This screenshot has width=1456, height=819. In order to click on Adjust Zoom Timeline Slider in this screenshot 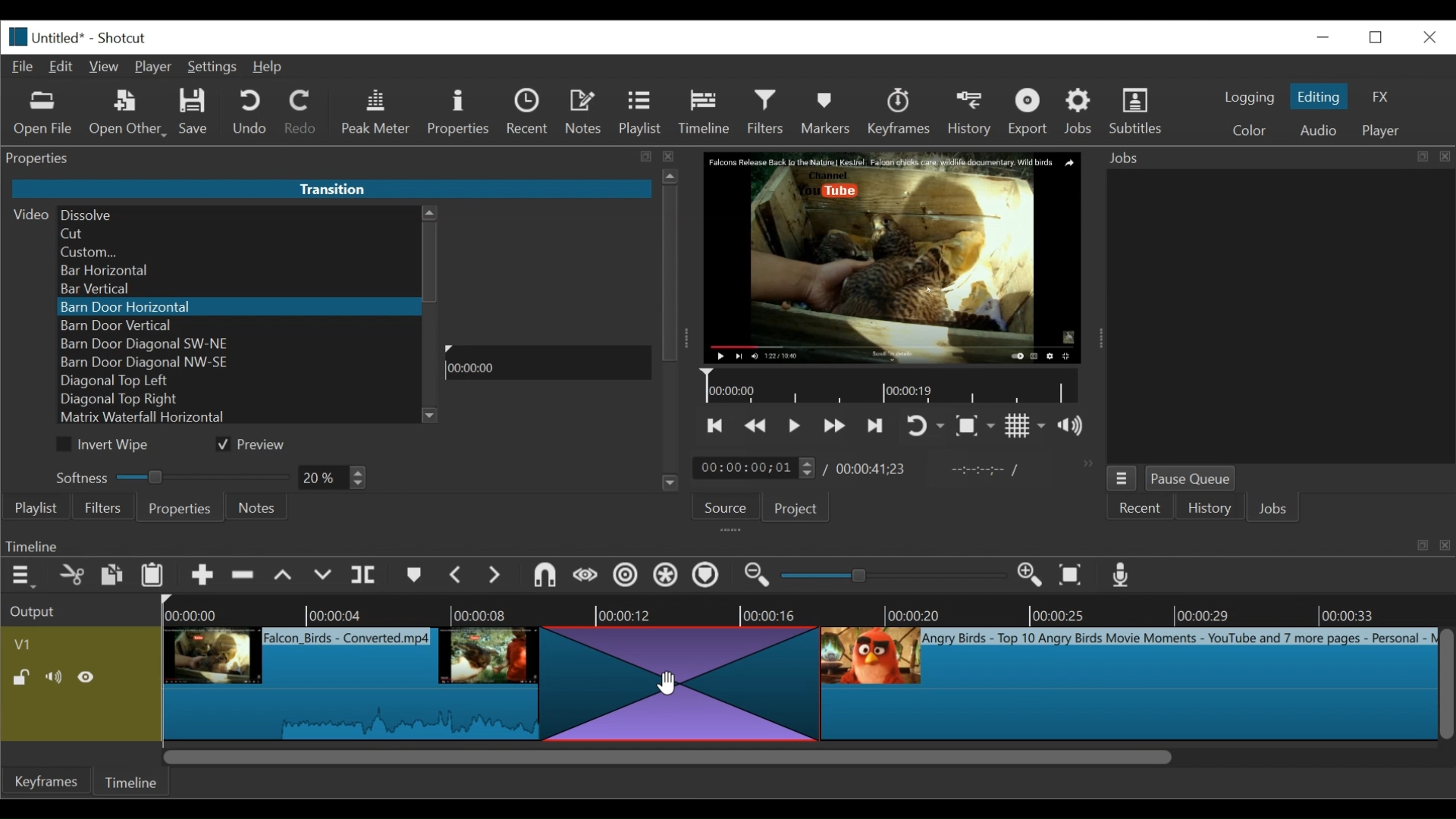, I will do `click(890, 576)`.